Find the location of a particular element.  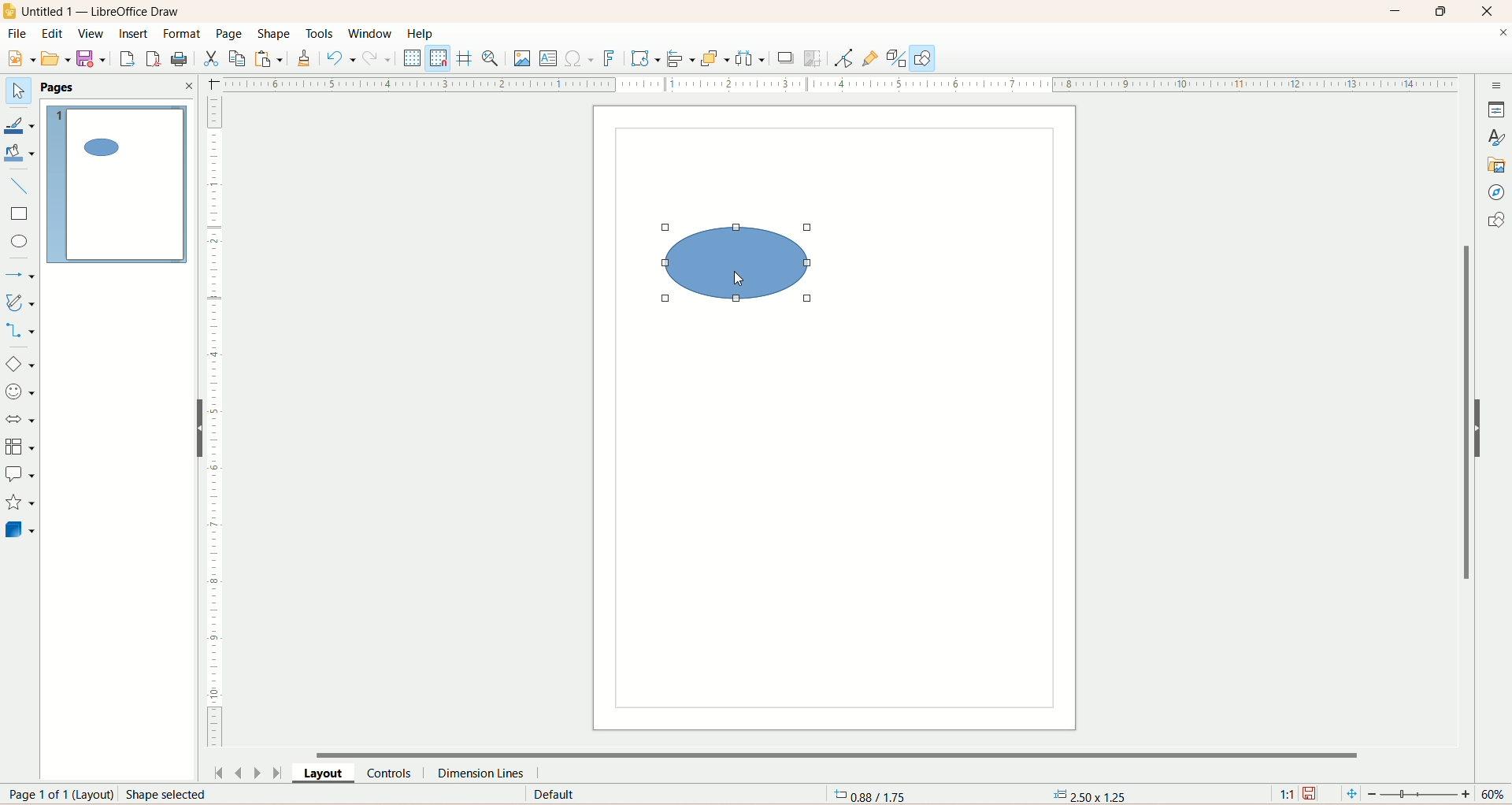

fill color is located at coordinates (20, 154).